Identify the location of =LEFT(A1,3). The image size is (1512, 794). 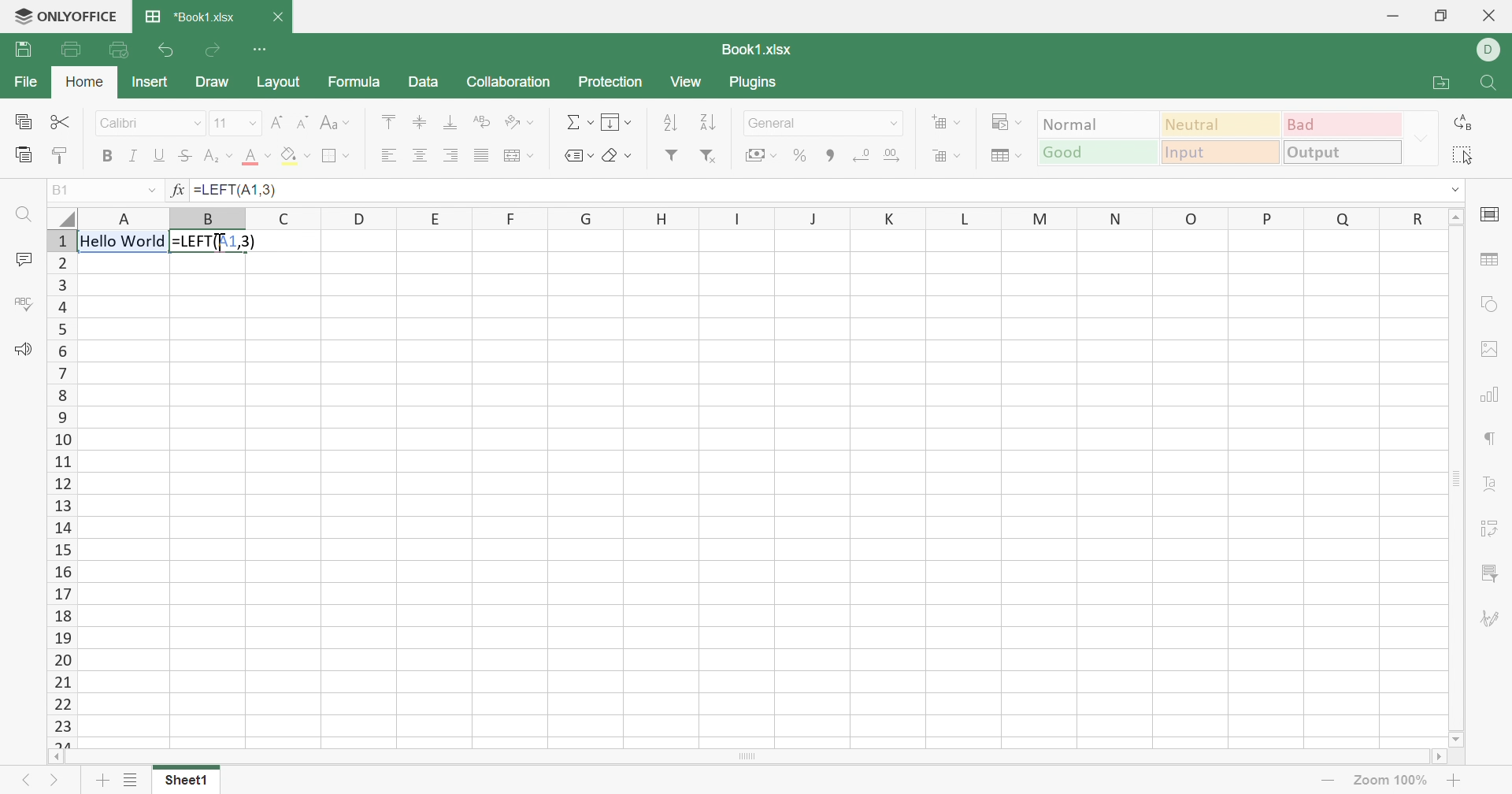
(235, 190).